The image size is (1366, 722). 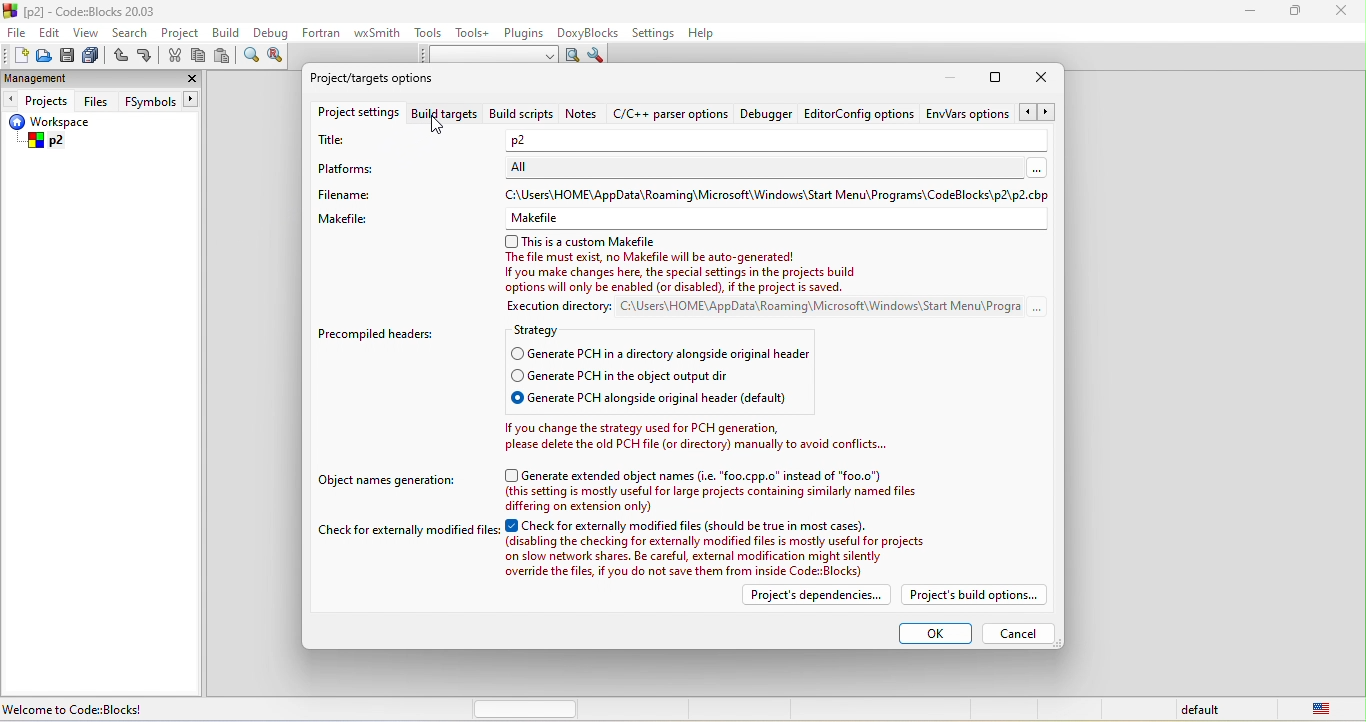 What do you see at coordinates (348, 222) in the screenshot?
I see `makefile` at bounding box center [348, 222].